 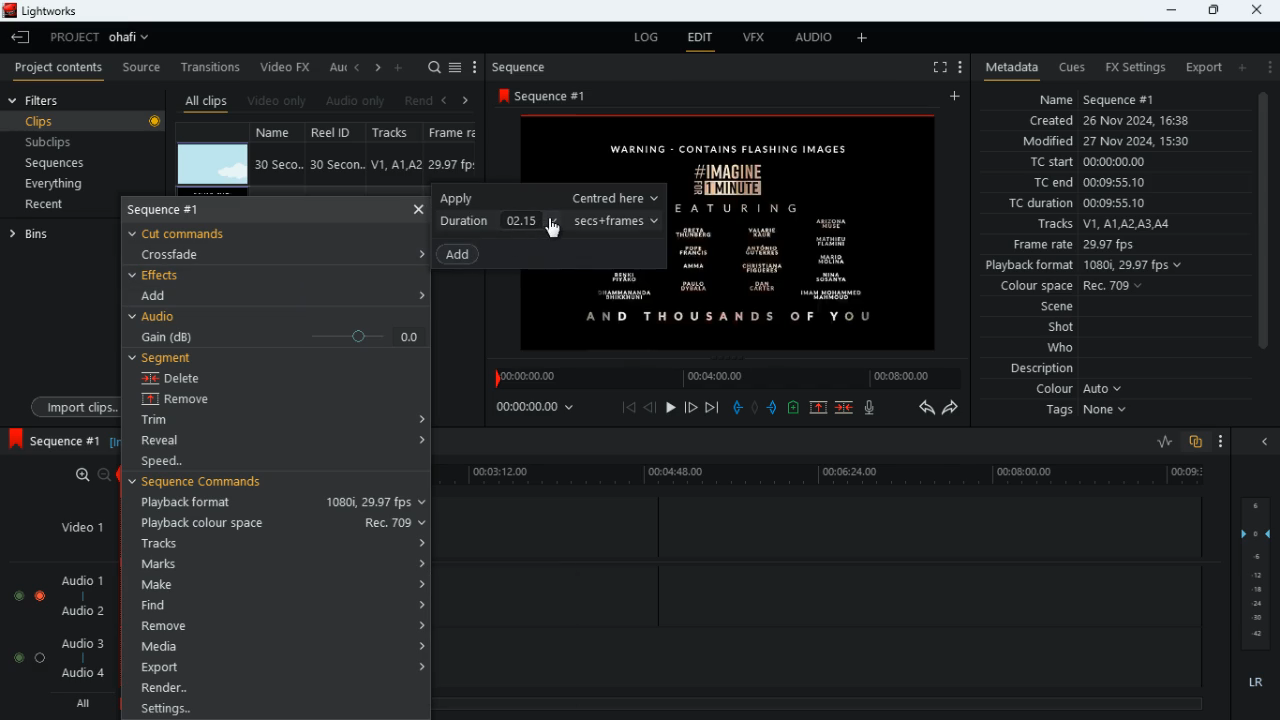 I want to click on audio only, so click(x=357, y=101).